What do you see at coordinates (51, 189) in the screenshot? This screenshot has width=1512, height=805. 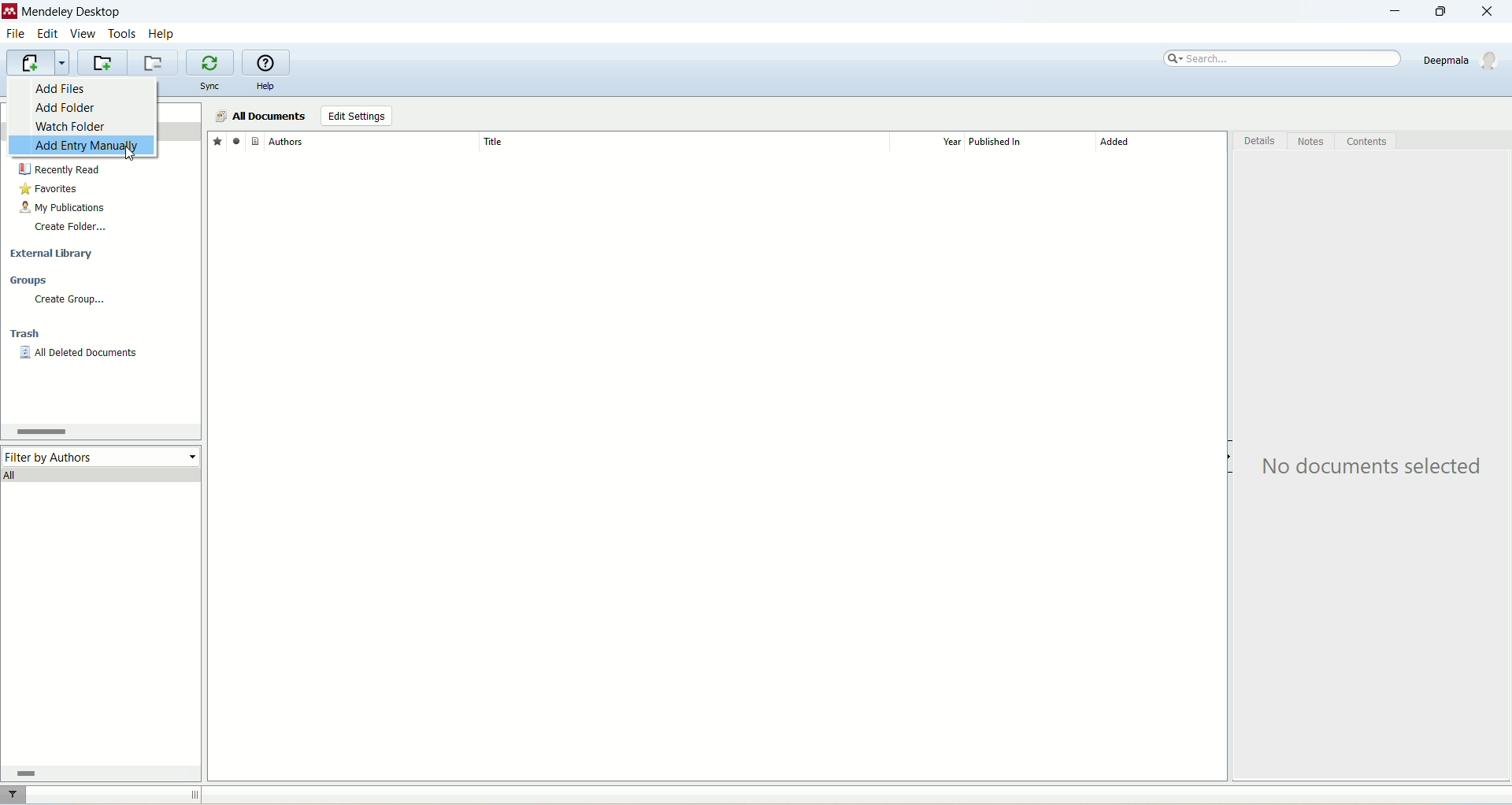 I see `favorites` at bounding box center [51, 189].